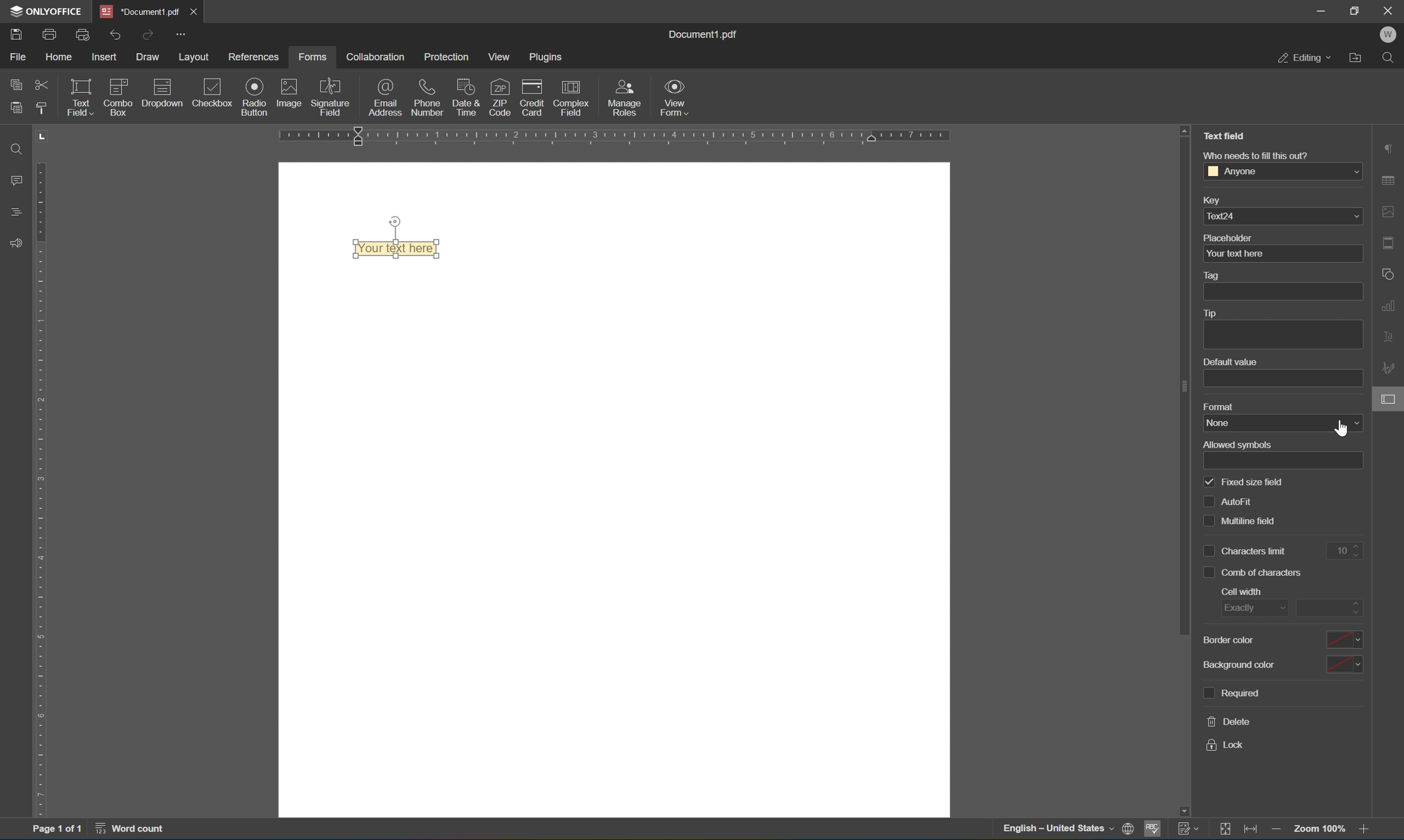  Describe the element at coordinates (1284, 424) in the screenshot. I see `none` at that location.